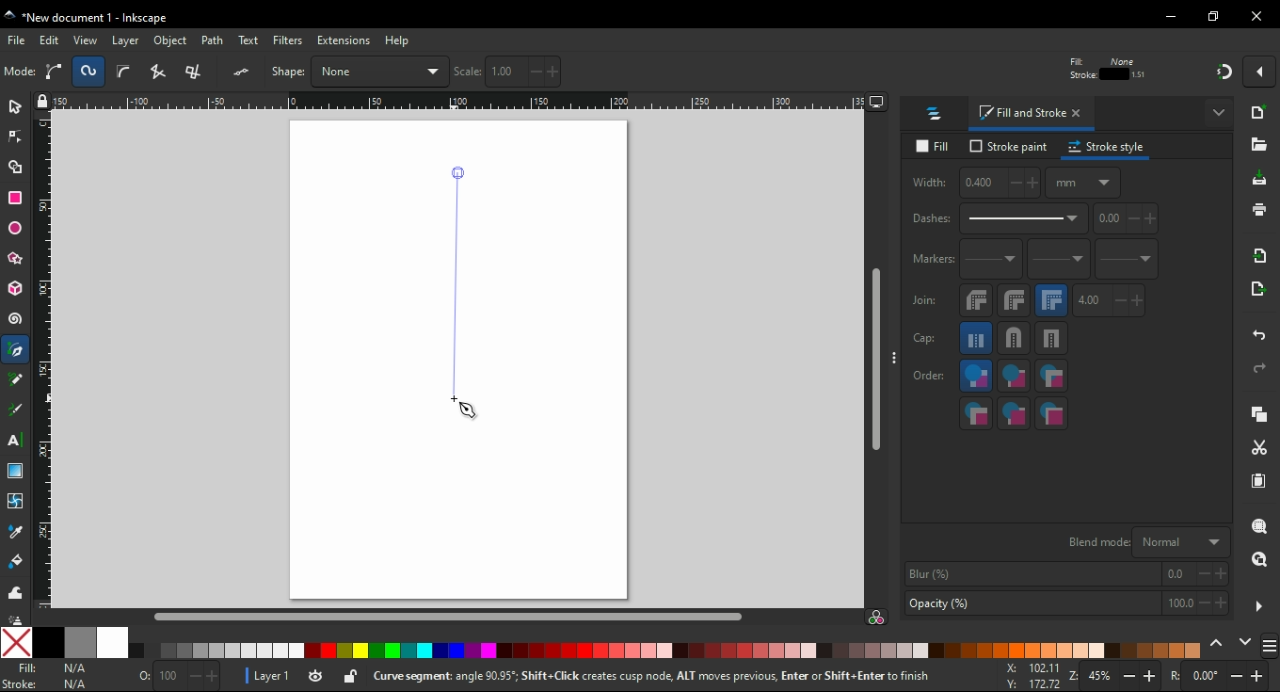 The width and height of the screenshot is (1280, 692). What do you see at coordinates (458, 282) in the screenshot?
I see `line` at bounding box center [458, 282].